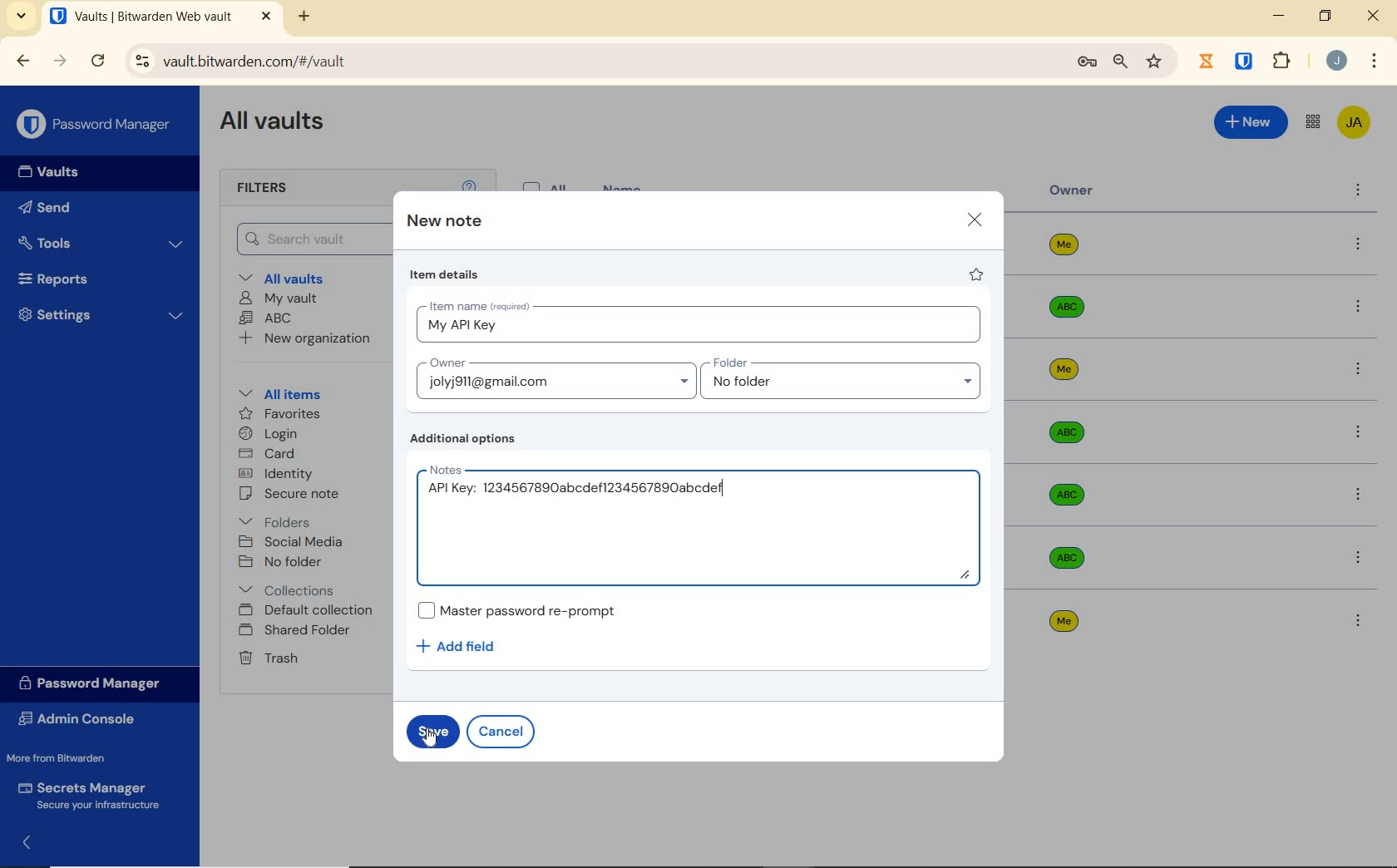 The height and width of the screenshot is (868, 1397). What do you see at coordinates (516, 610) in the screenshot?
I see `Master password re-prompt` at bounding box center [516, 610].